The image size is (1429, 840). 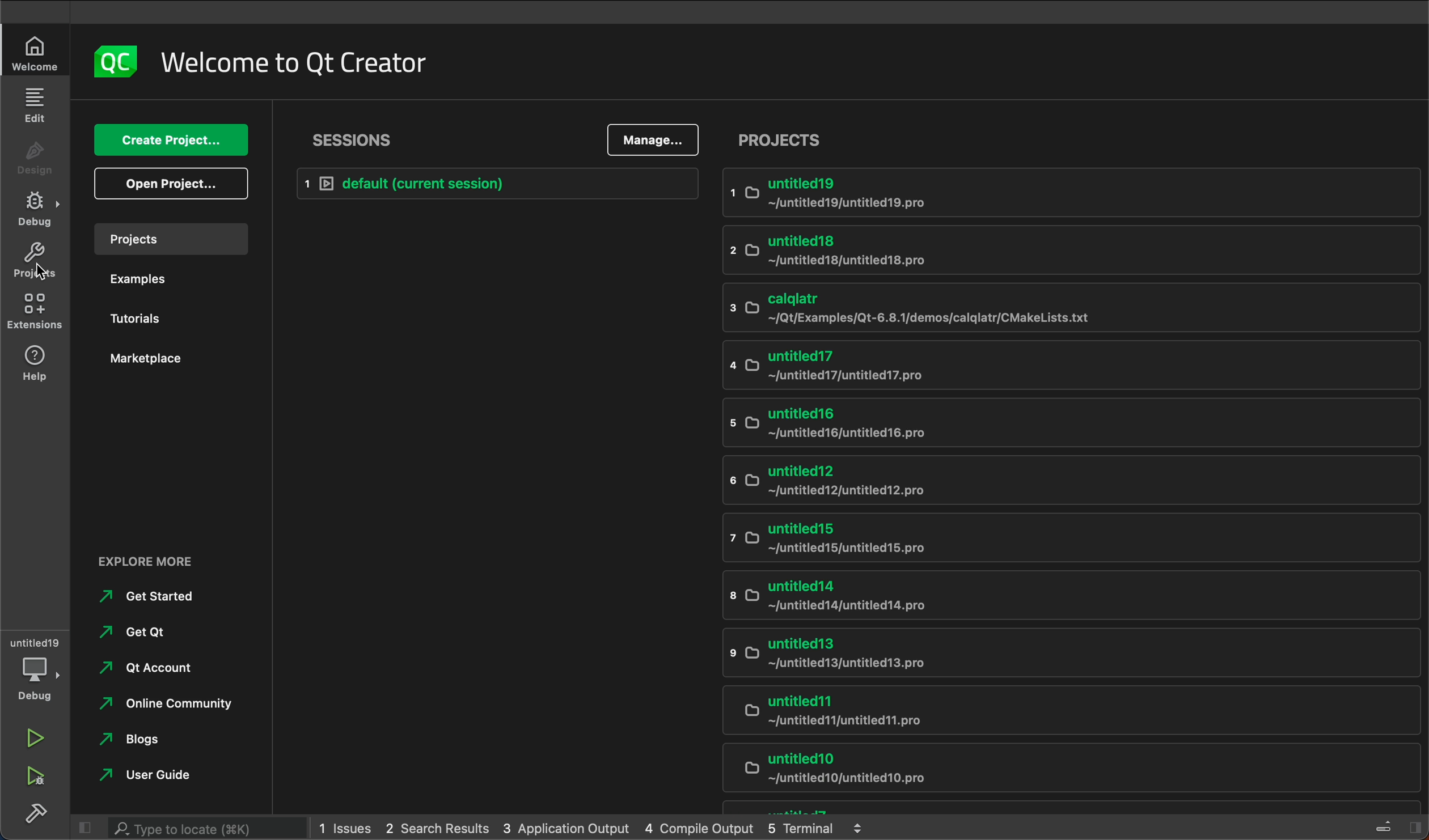 I want to click on help, so click(x=37, y=361).